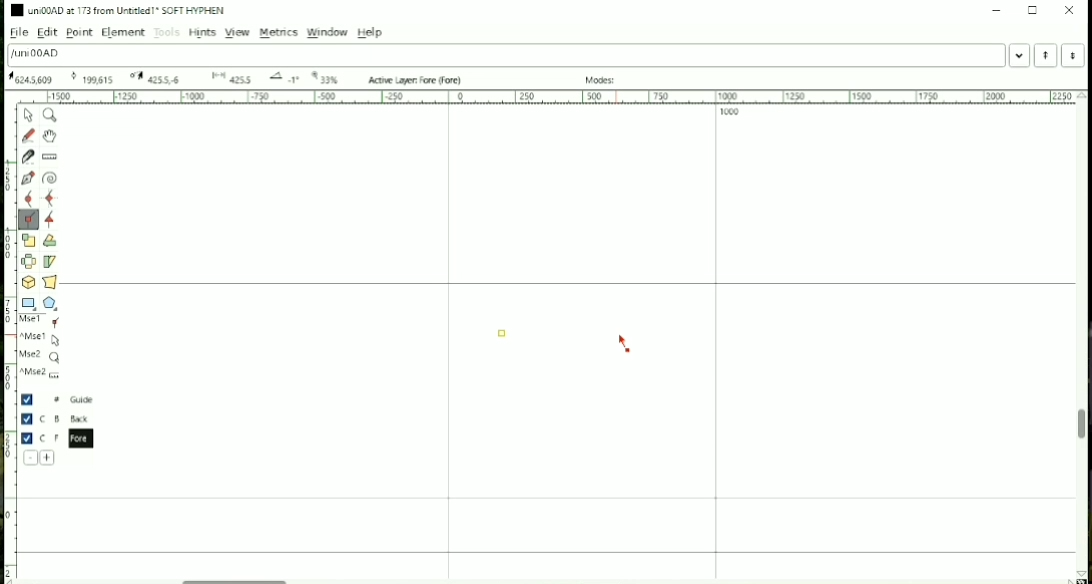  Describe the element at coordinates (1033, 10) in the screenshot. I see `Maximize` at that location.